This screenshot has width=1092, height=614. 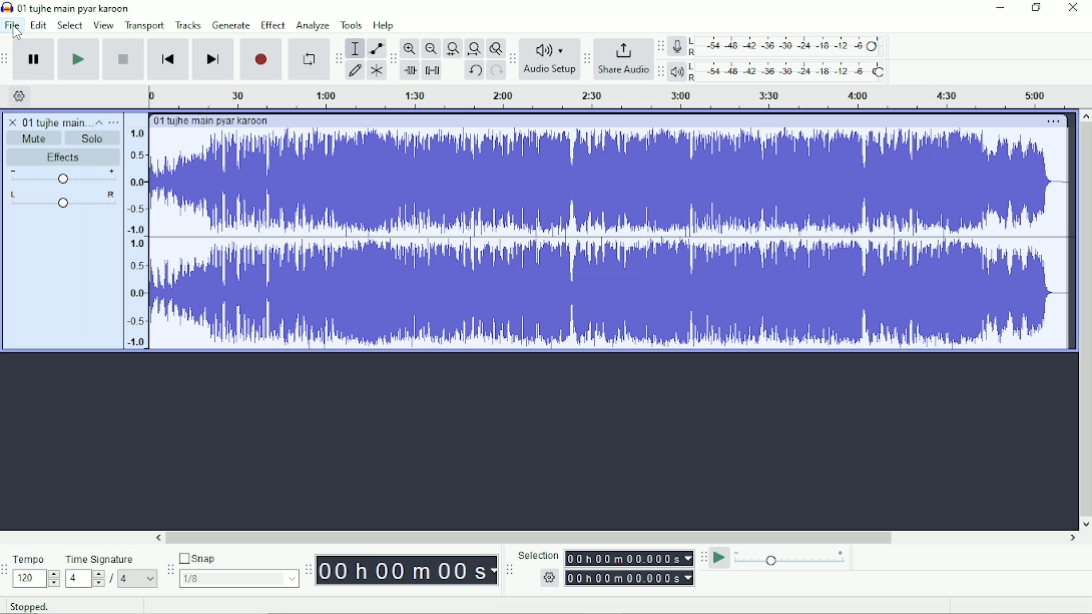 What do you see at coordinates (550, 58) in the screenshot?
I see `Audio Setup` at bounding box center [550, 58].